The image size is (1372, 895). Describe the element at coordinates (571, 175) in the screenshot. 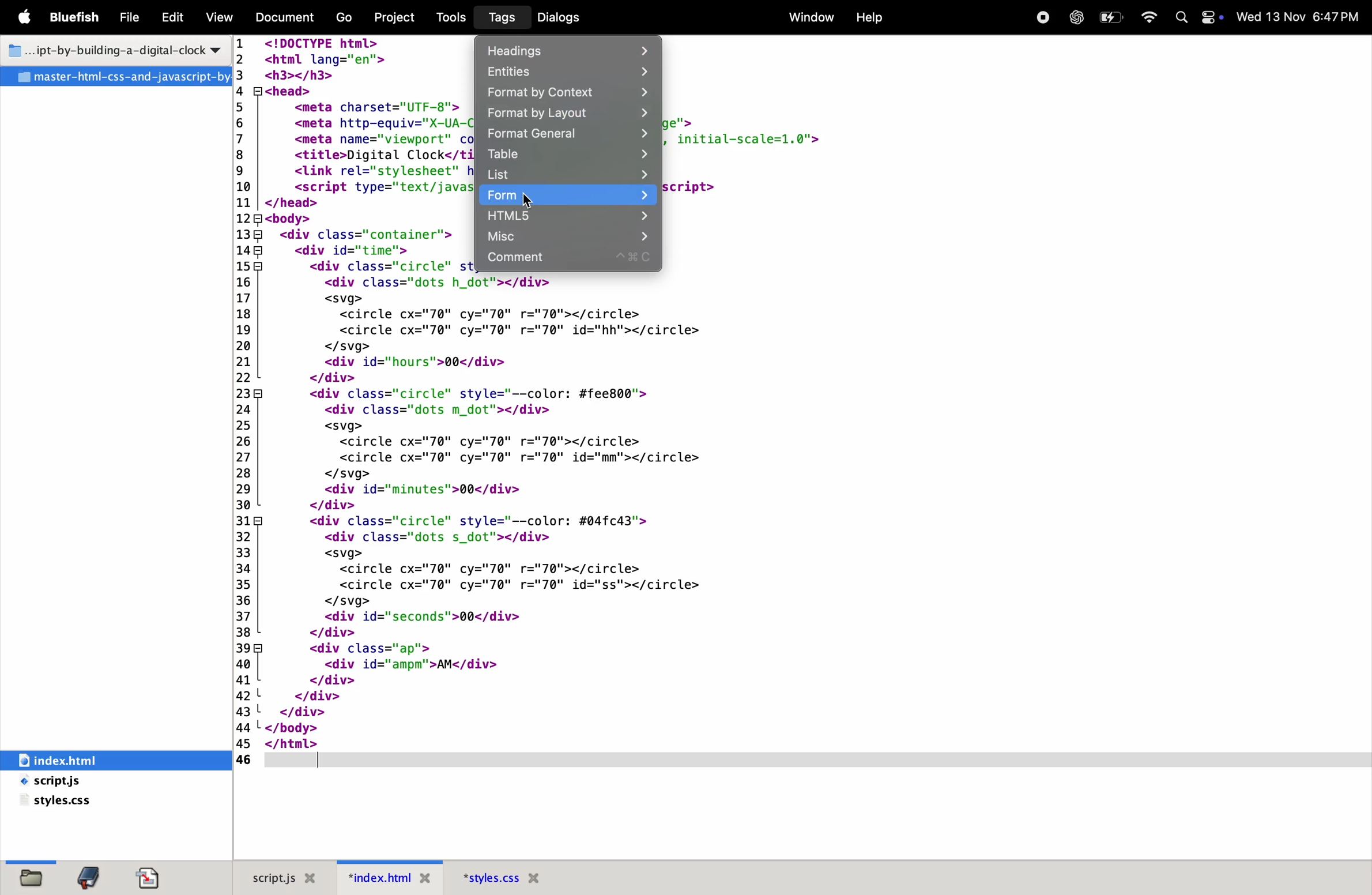

I see `list` at that location.